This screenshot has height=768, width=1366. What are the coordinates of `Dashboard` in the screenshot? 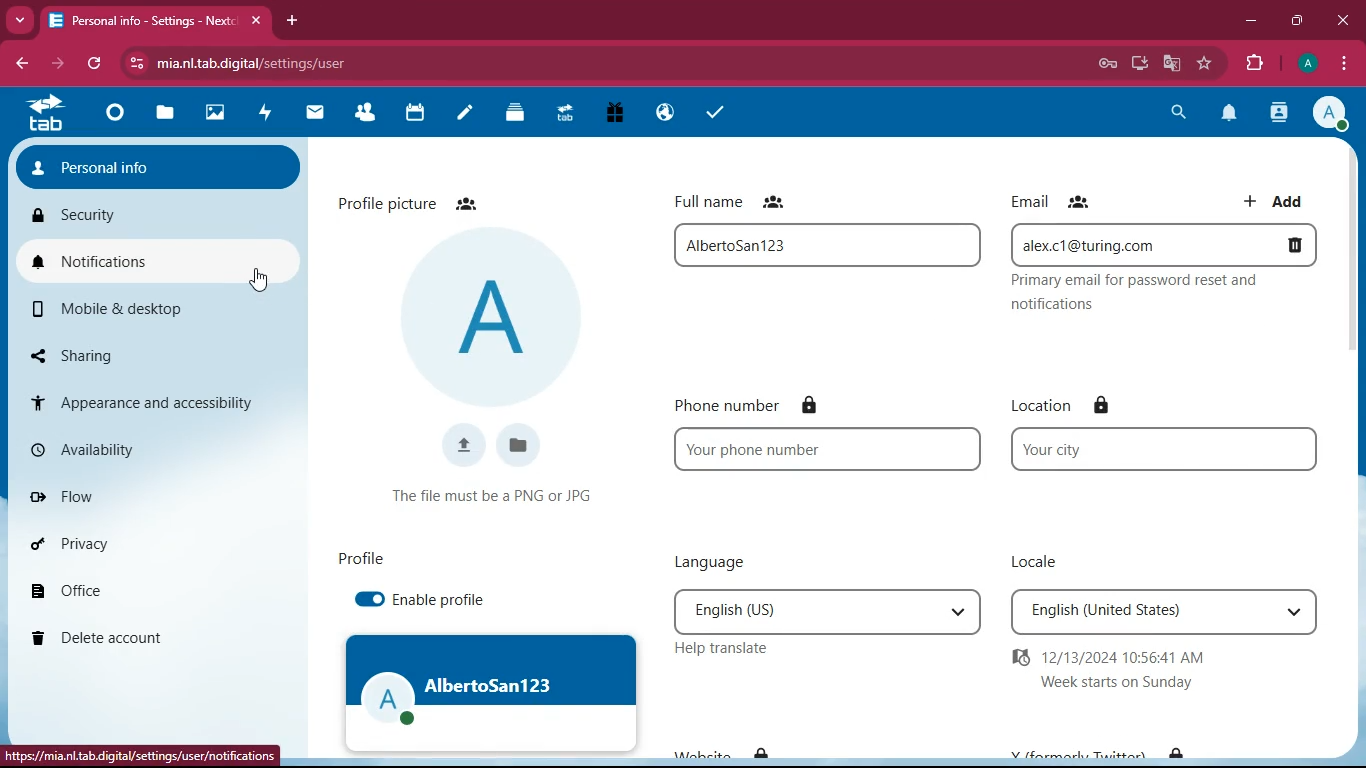 It's located at (115, 116).